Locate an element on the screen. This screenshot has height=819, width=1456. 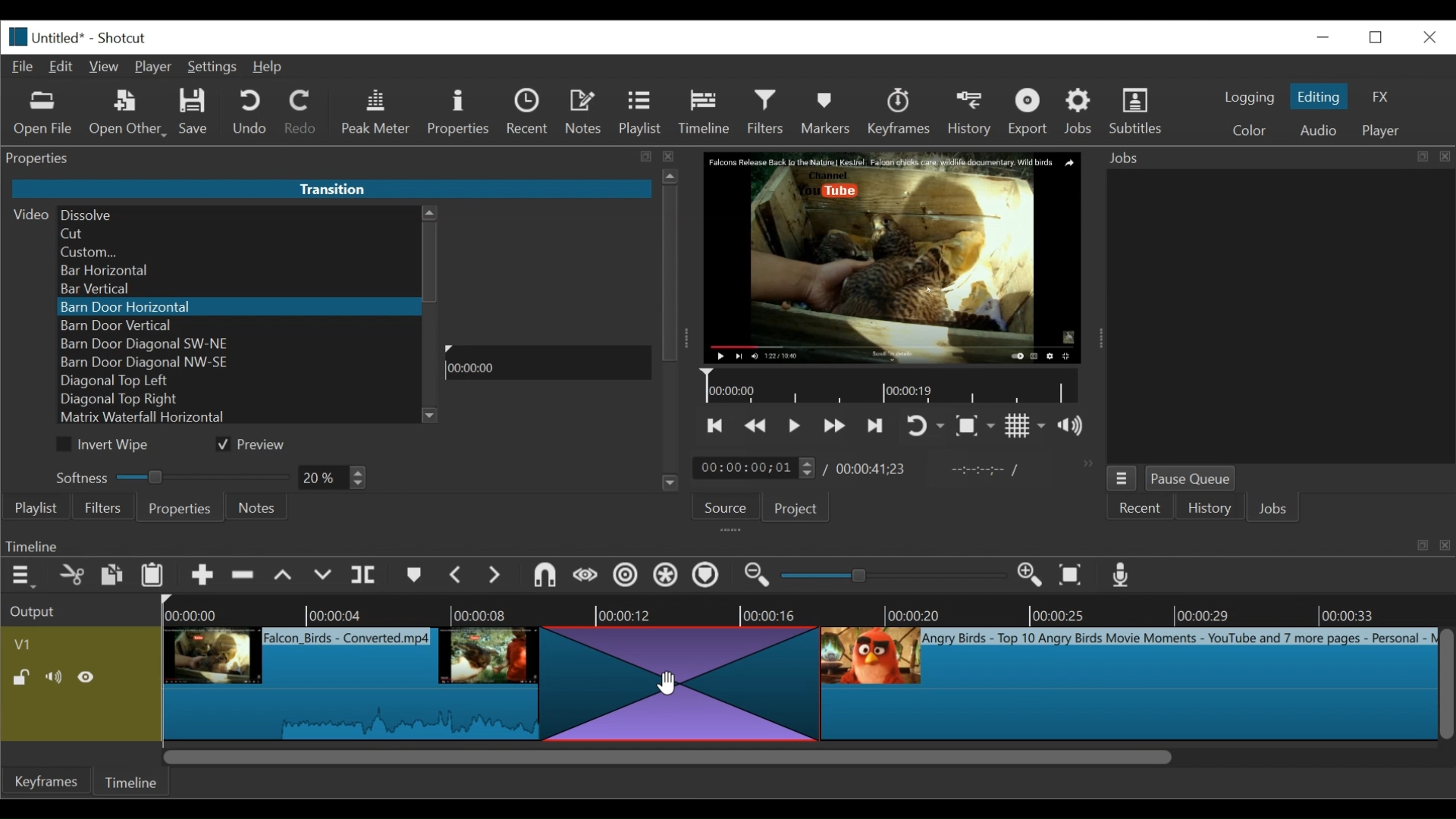
Previous Marker is located at coordinates (457, 576).